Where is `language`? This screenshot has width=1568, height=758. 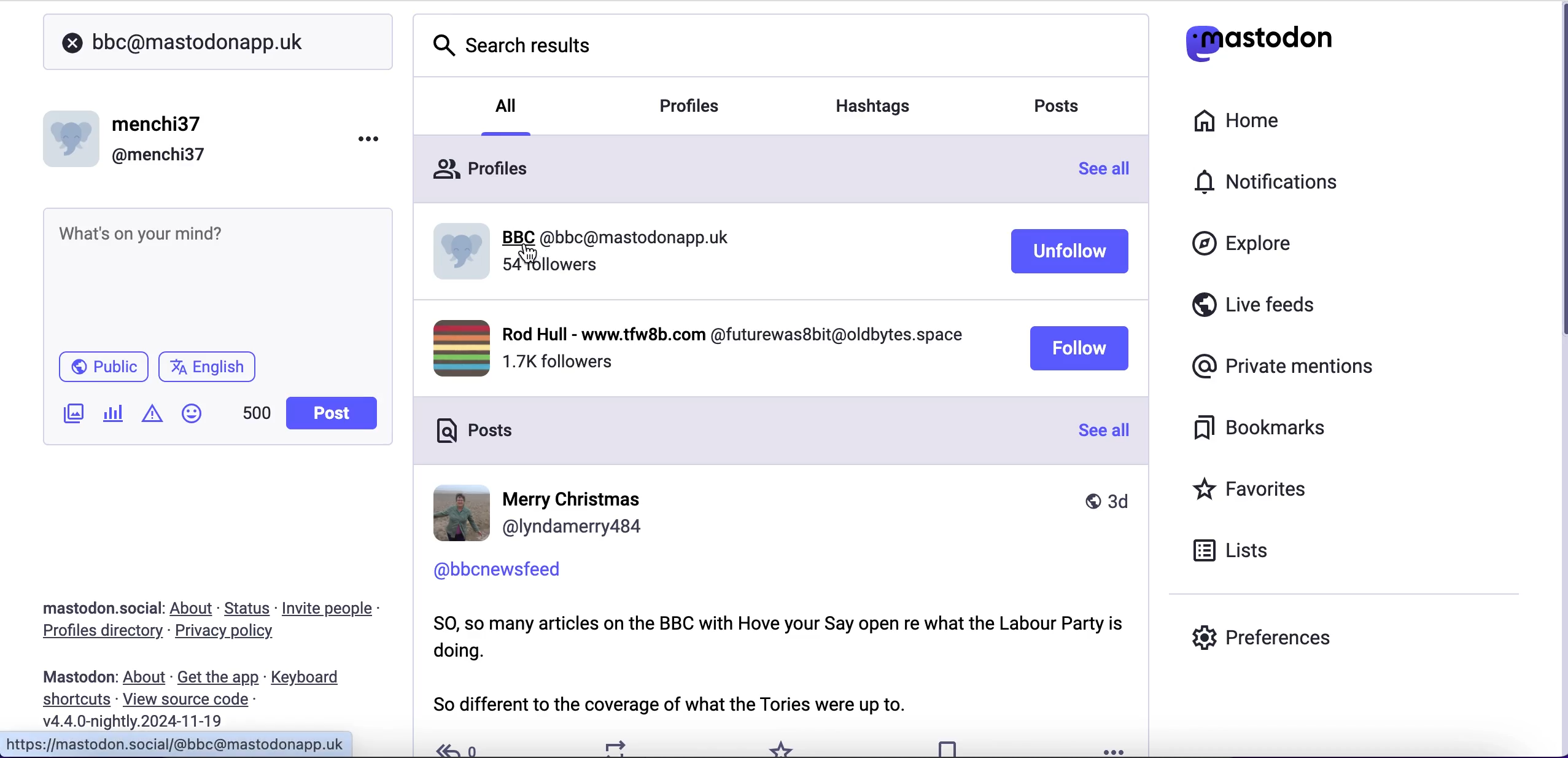 language is located at coordinates (212, 372).